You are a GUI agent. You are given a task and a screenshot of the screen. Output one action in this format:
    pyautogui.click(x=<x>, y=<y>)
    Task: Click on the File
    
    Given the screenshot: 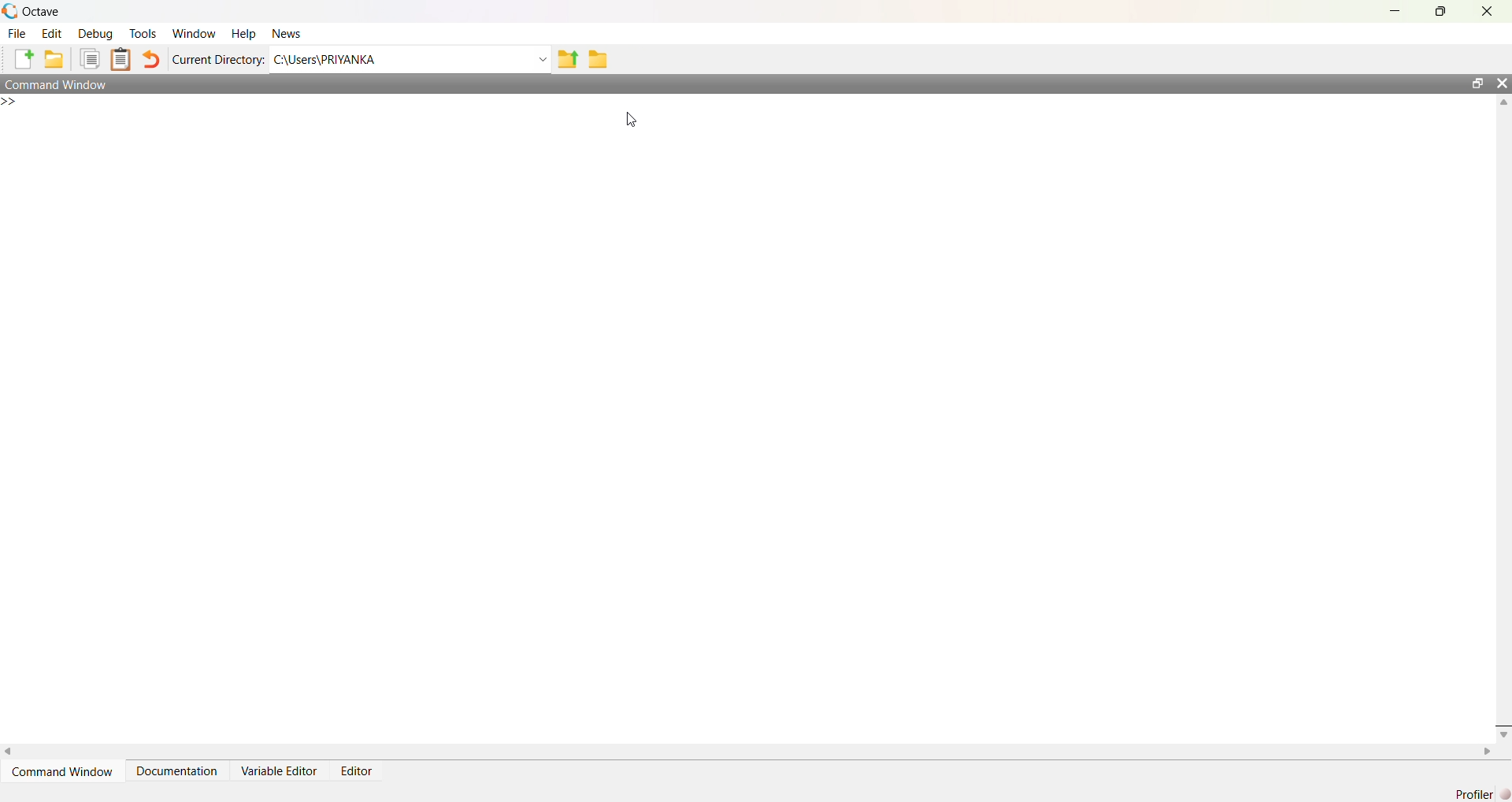 What is the action you would take?
    pyautogui.click(x=15, y=35)
    